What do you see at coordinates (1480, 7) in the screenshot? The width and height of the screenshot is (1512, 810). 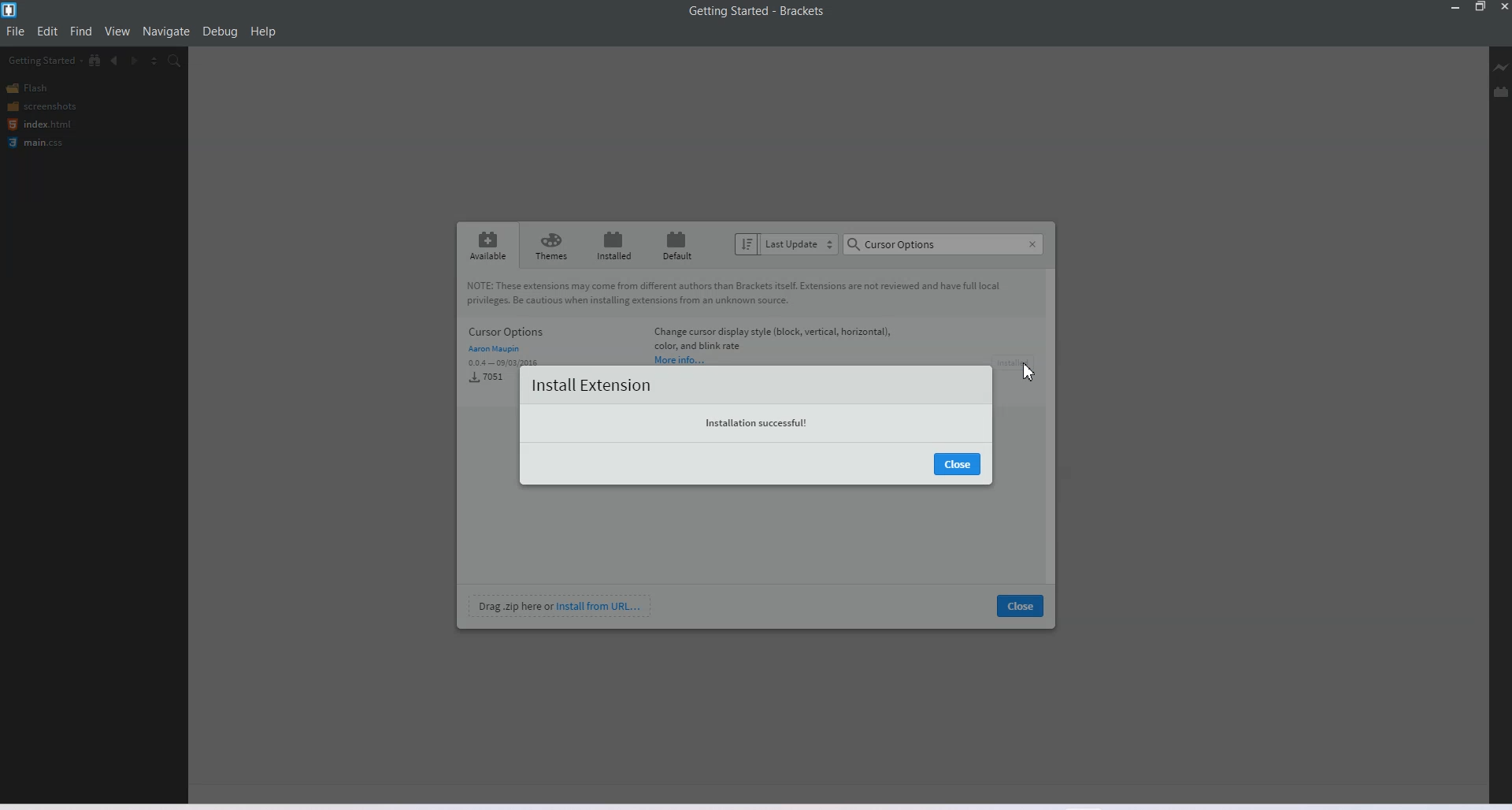 I see `Maximize` at bounding box center [1480, 7].